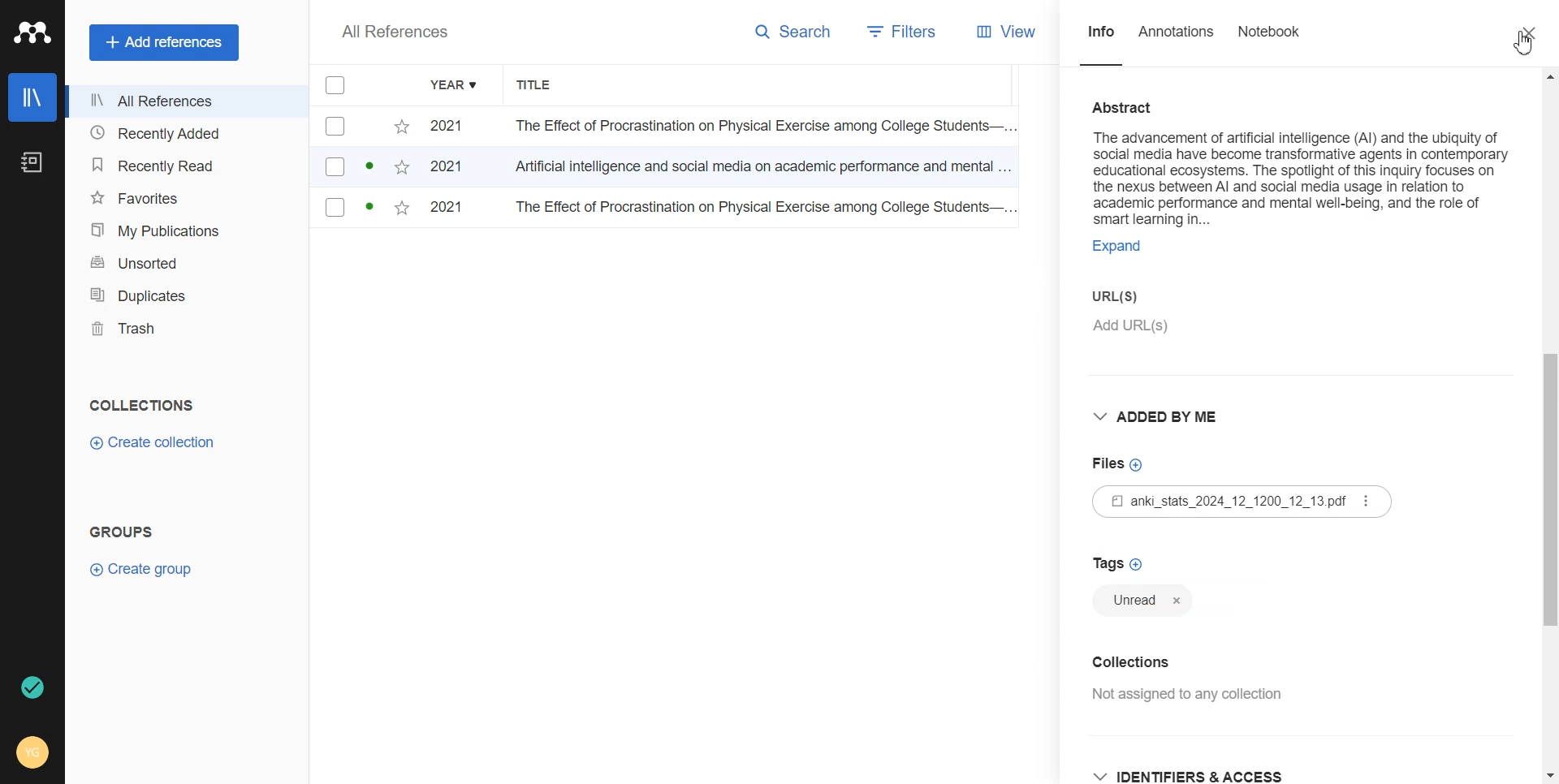 The height and width of the screenshot is (784, 1559). I want to click on Recently added, so click(185, 134).